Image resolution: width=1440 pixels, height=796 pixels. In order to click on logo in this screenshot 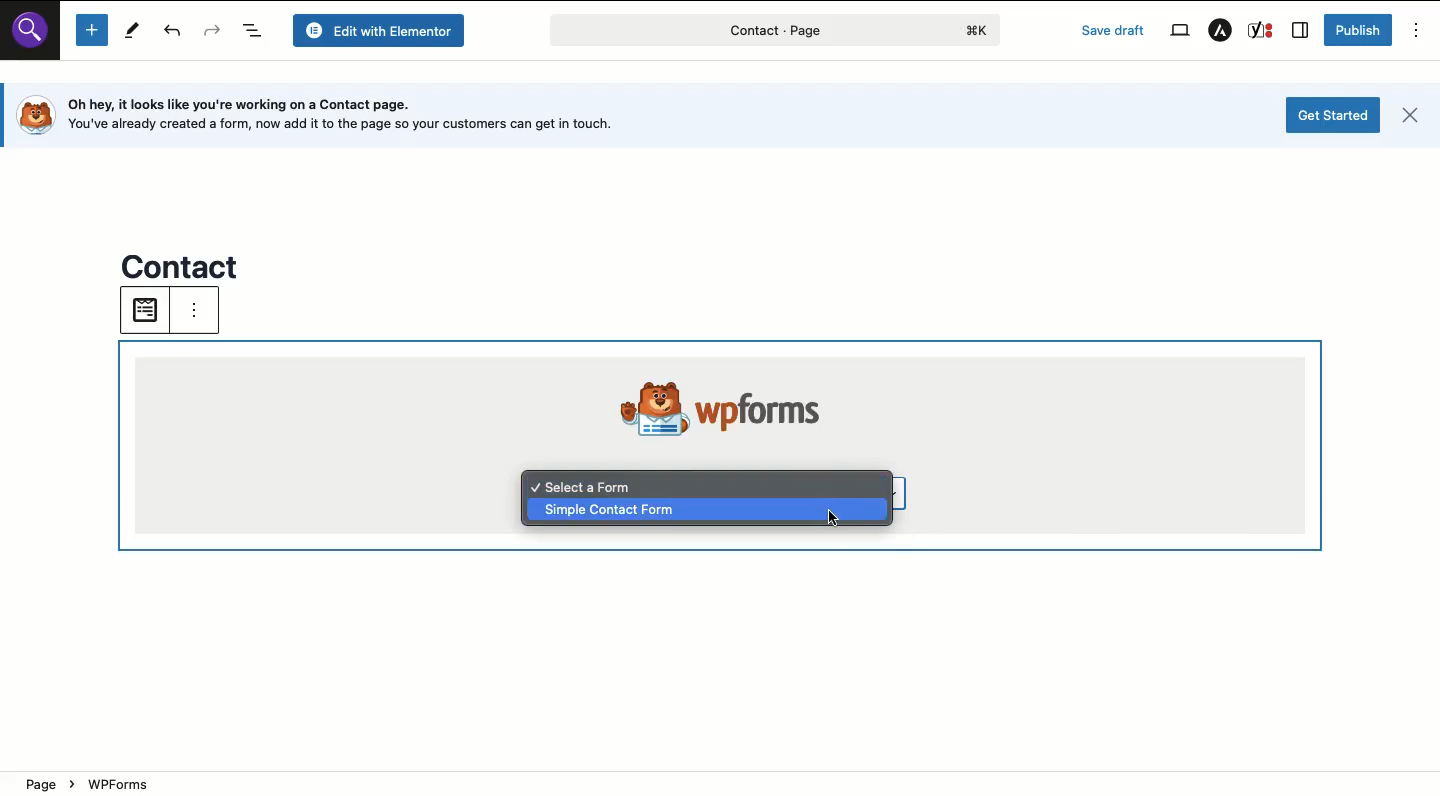, I will do `click(33, 115)`.